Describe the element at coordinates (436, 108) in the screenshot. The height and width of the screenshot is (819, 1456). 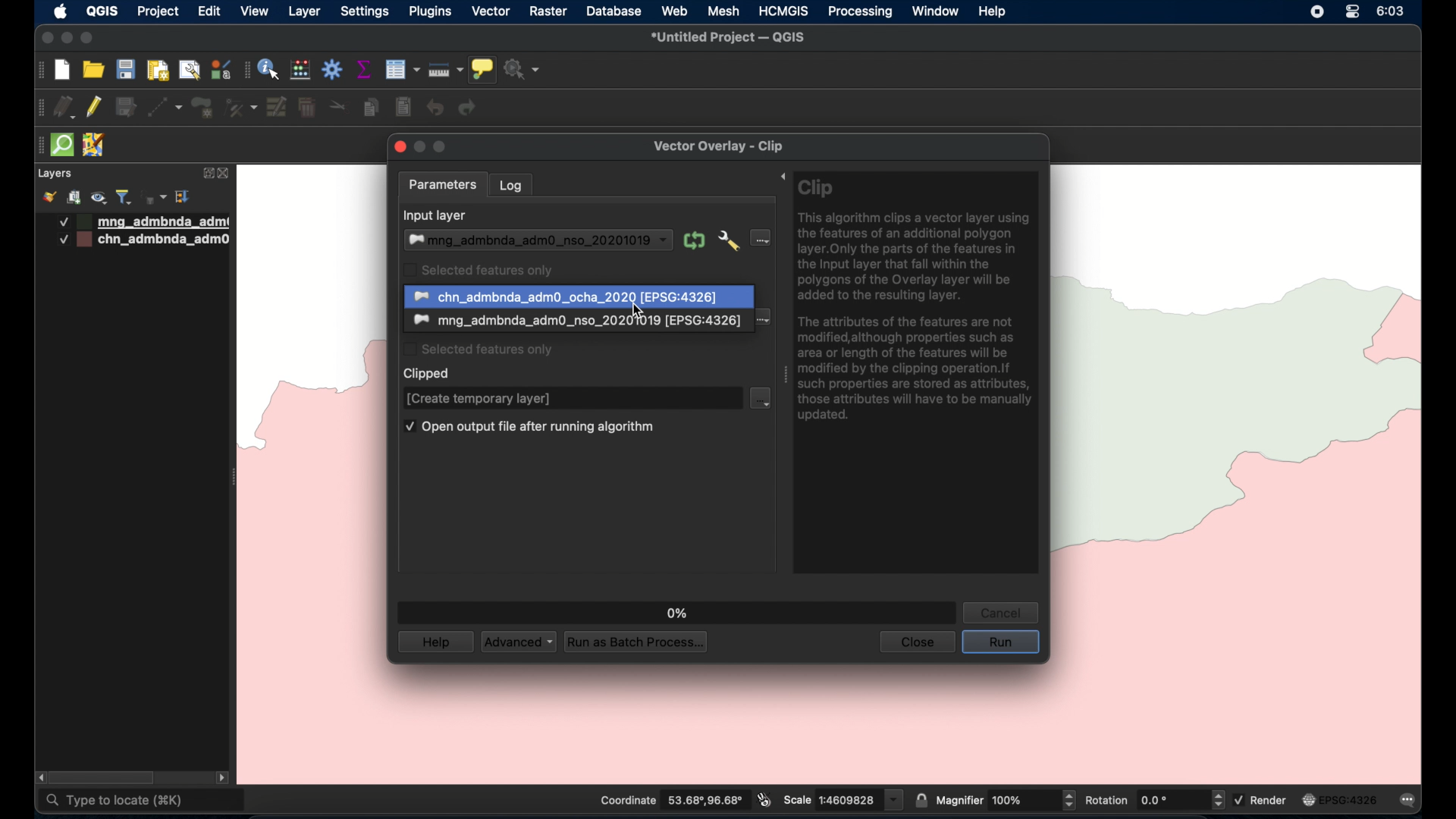
I see `undo` at that location.